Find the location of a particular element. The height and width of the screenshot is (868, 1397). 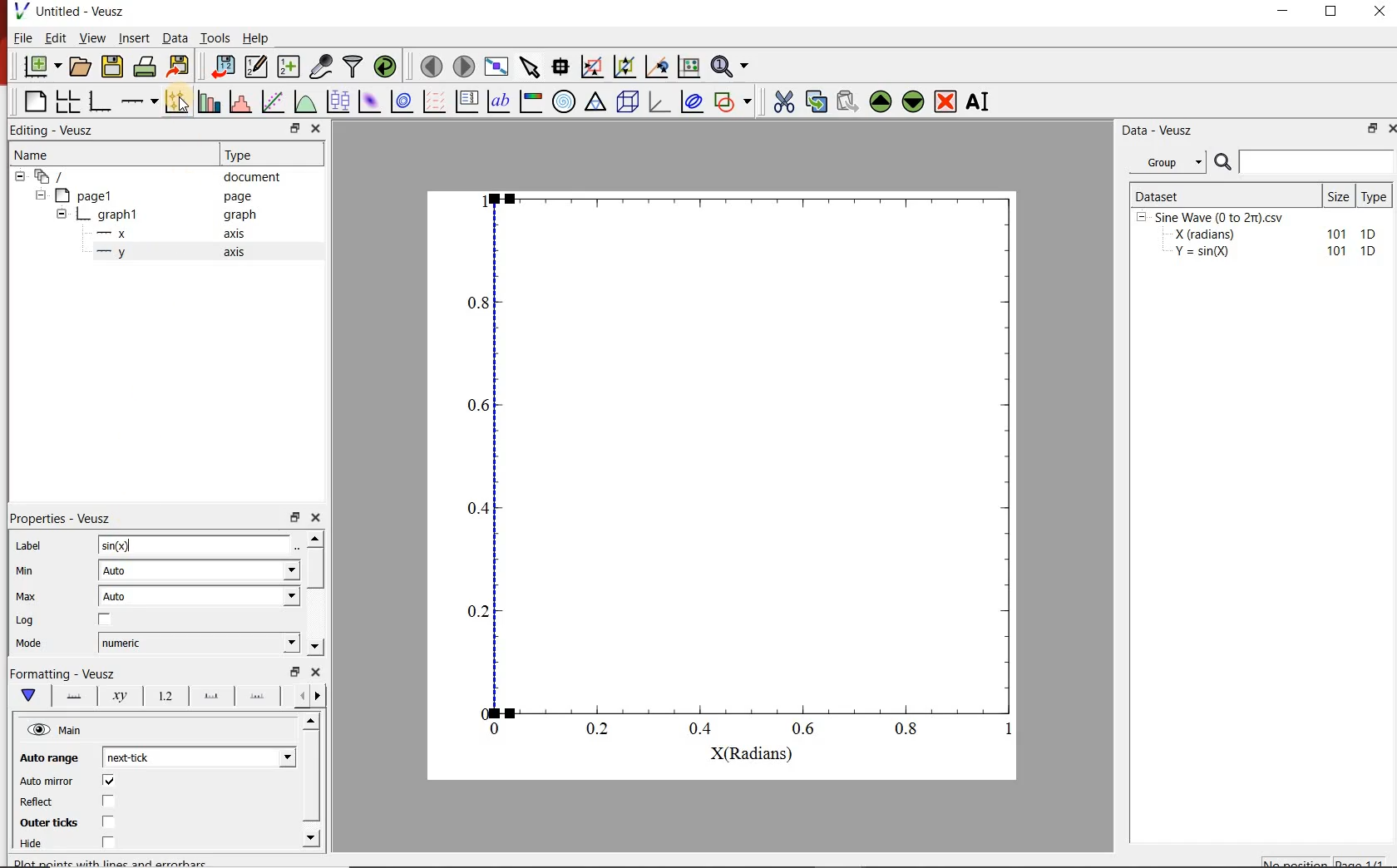

Logo is located at coordinates (21, 10).